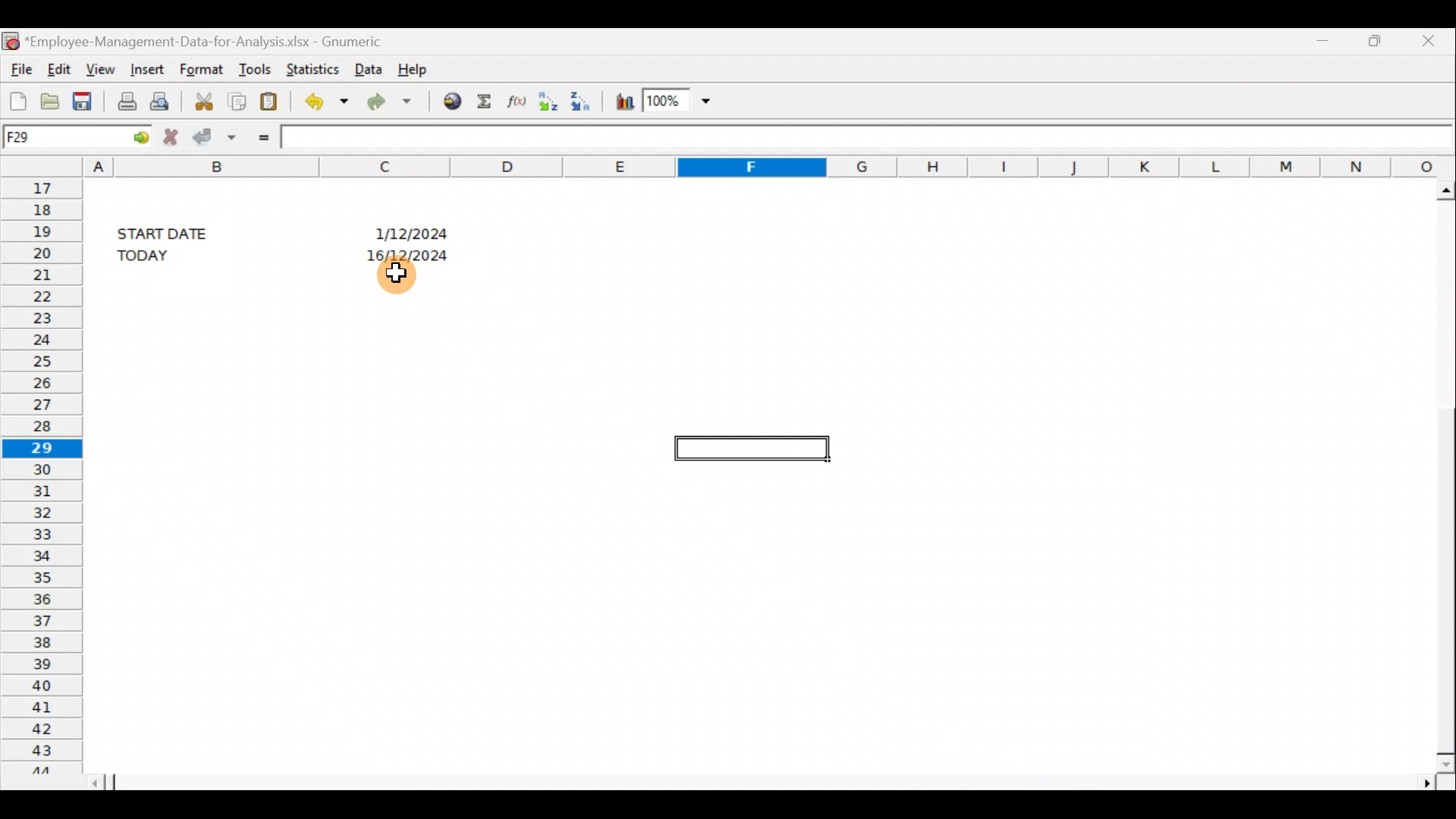 This screenshot has width=1456, height=819. I want to click on Zoom, so click(679, 102).